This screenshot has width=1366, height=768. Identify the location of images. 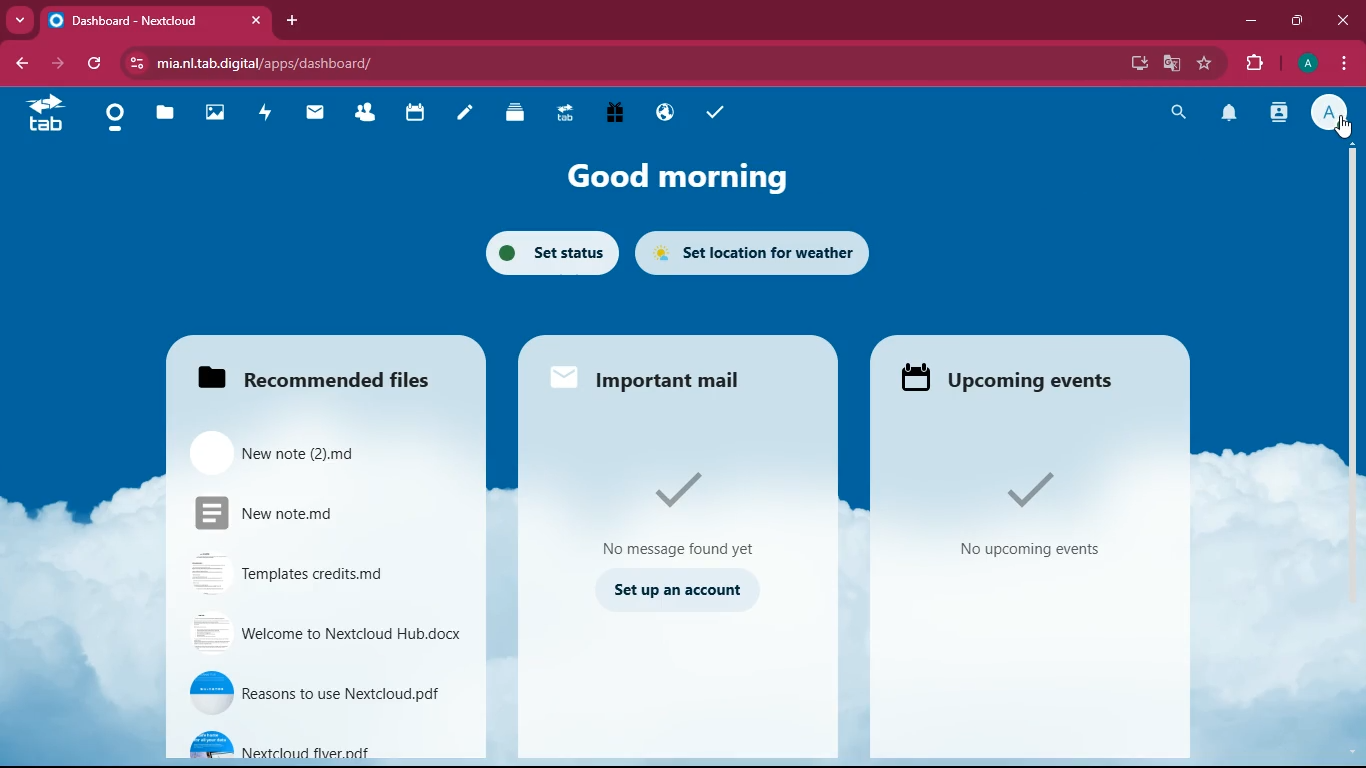
(219, 115).